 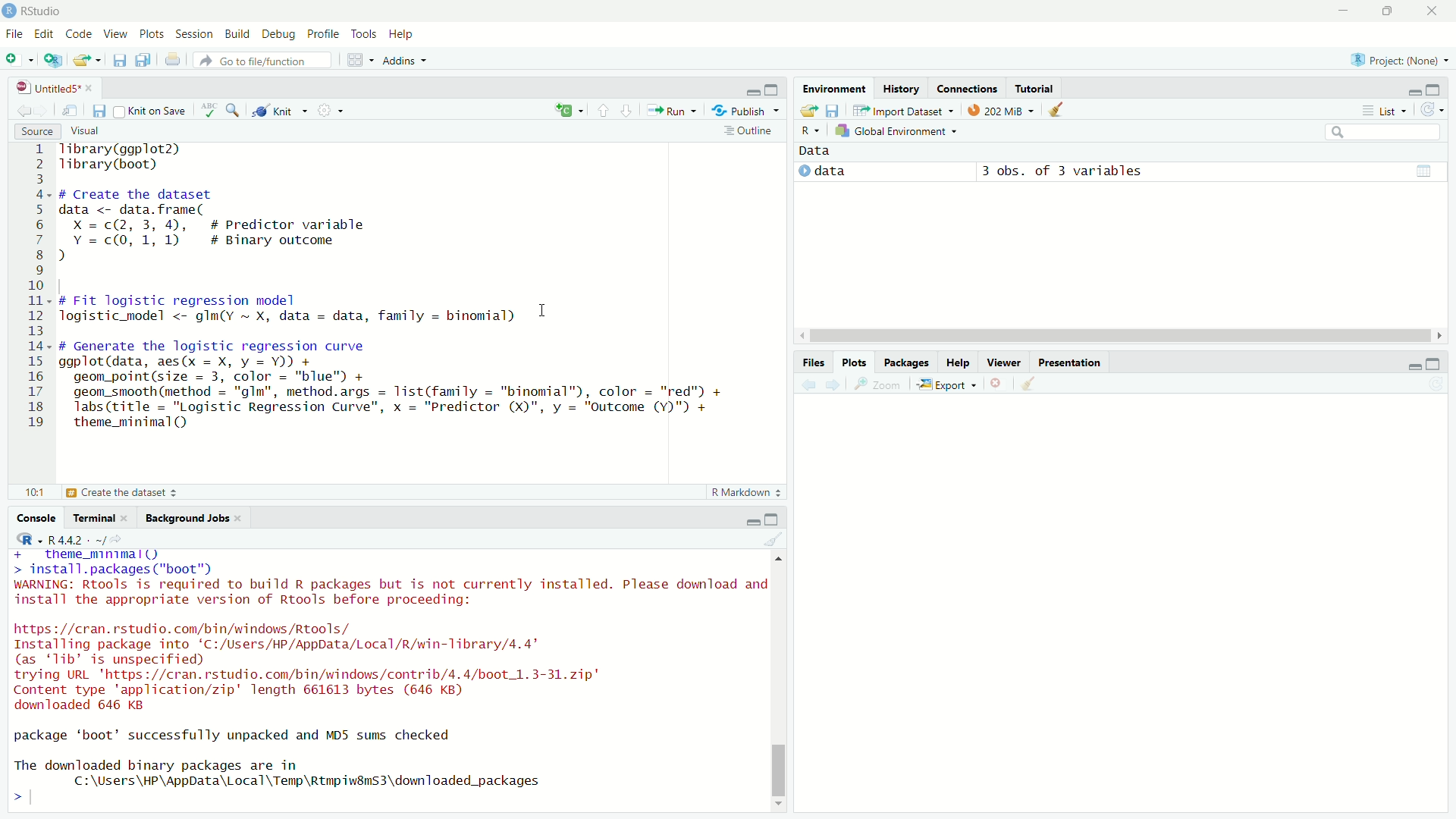 What do you see at coordinates (903, 110) in the screenshot?
I see `Import Dataset` at bounding box center [903, 110].